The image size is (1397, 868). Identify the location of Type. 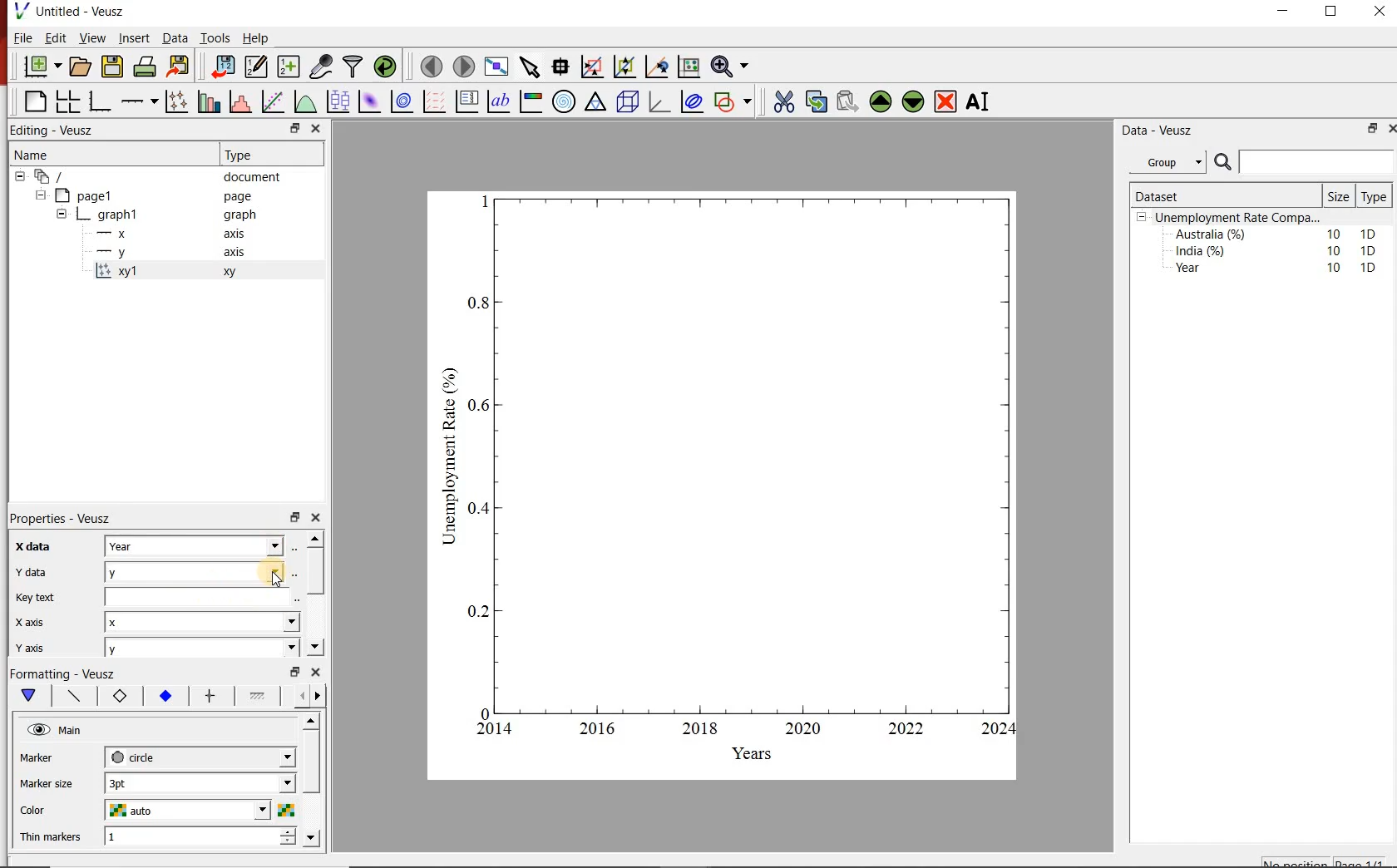
(1373, 197).